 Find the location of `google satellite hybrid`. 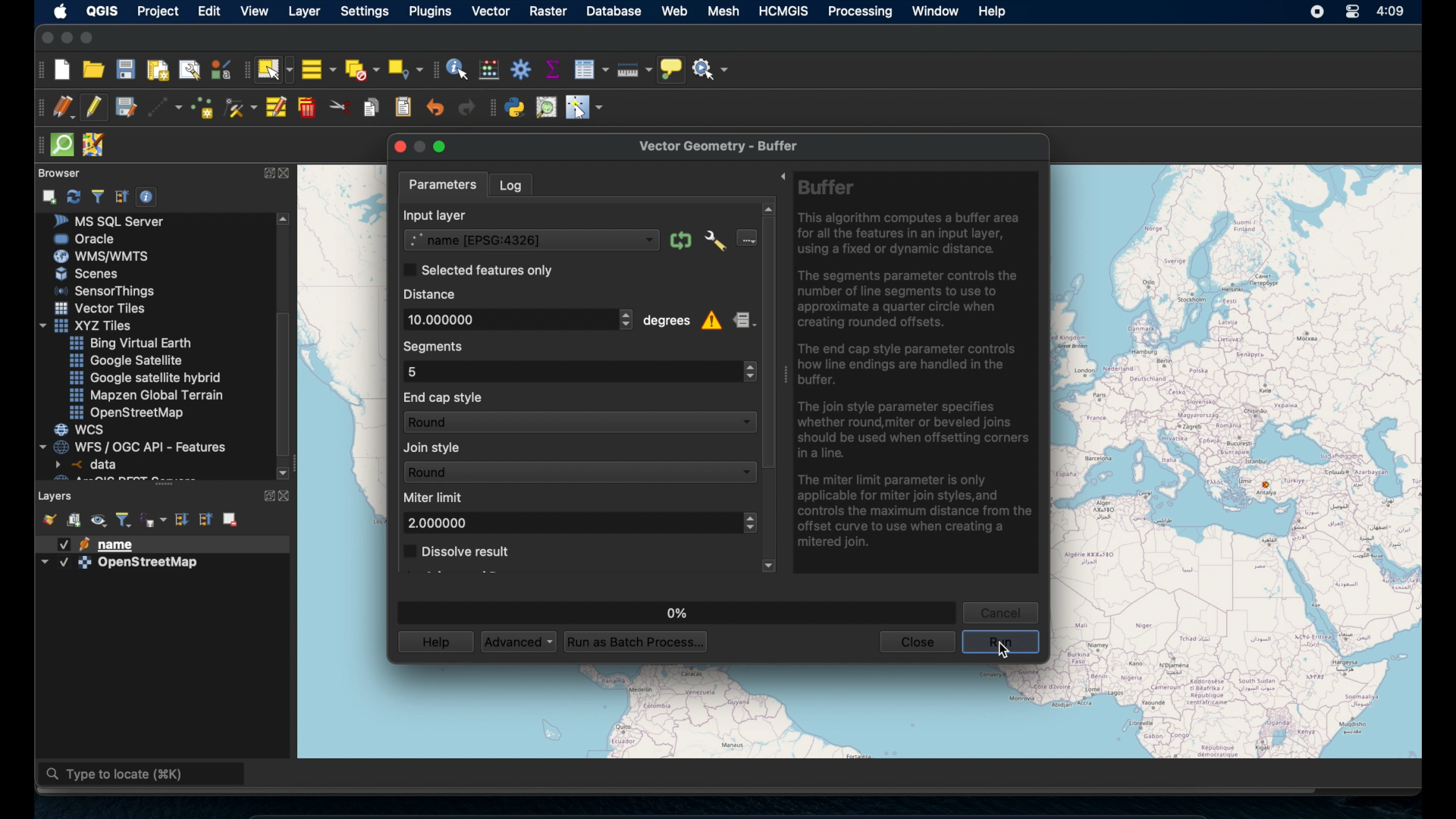

google satellite hybrid is located at coordinates (145, 379).